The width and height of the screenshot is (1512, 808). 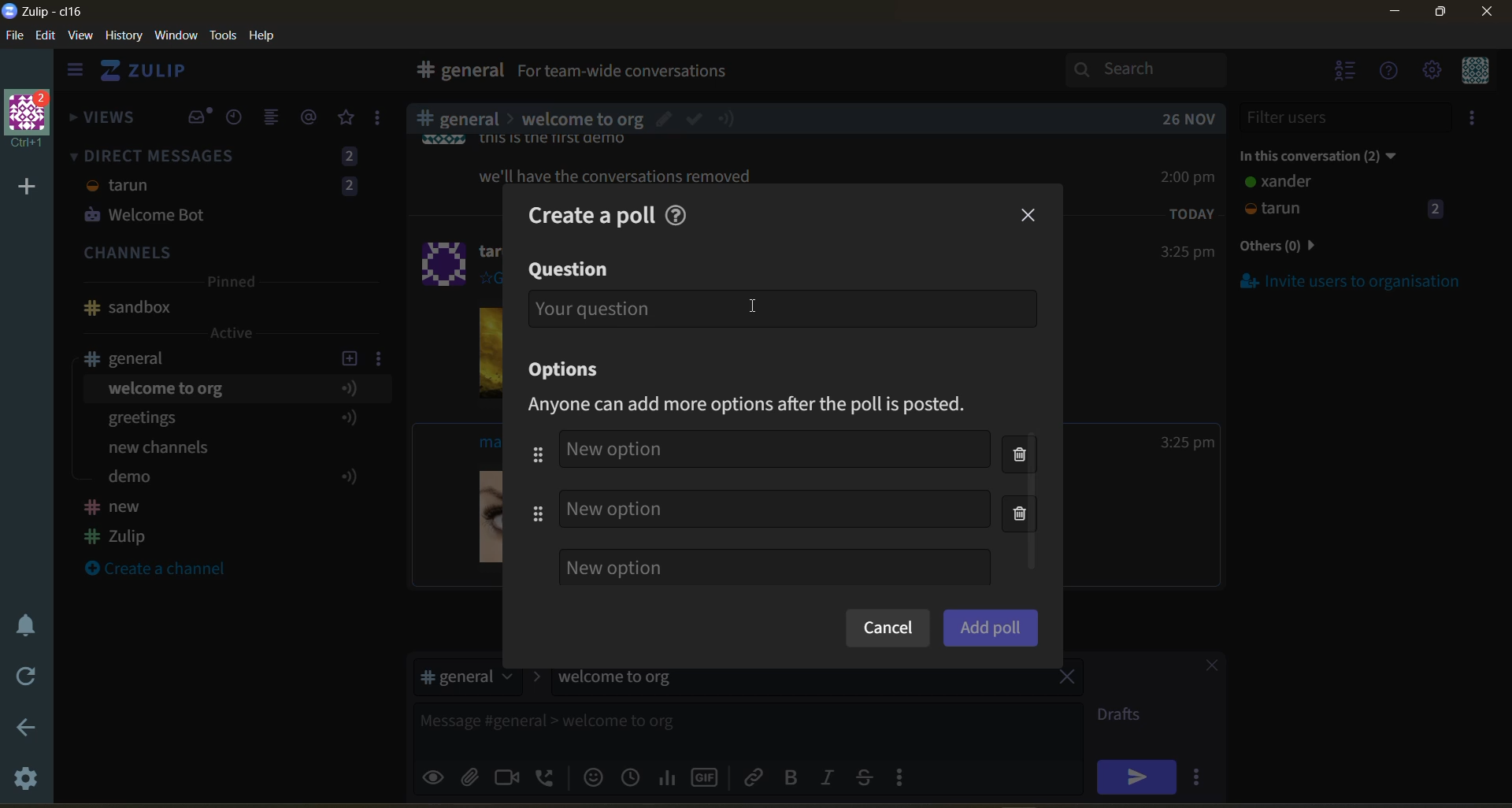 I want to click on Scroll bar, so click(x=1503, y=421).